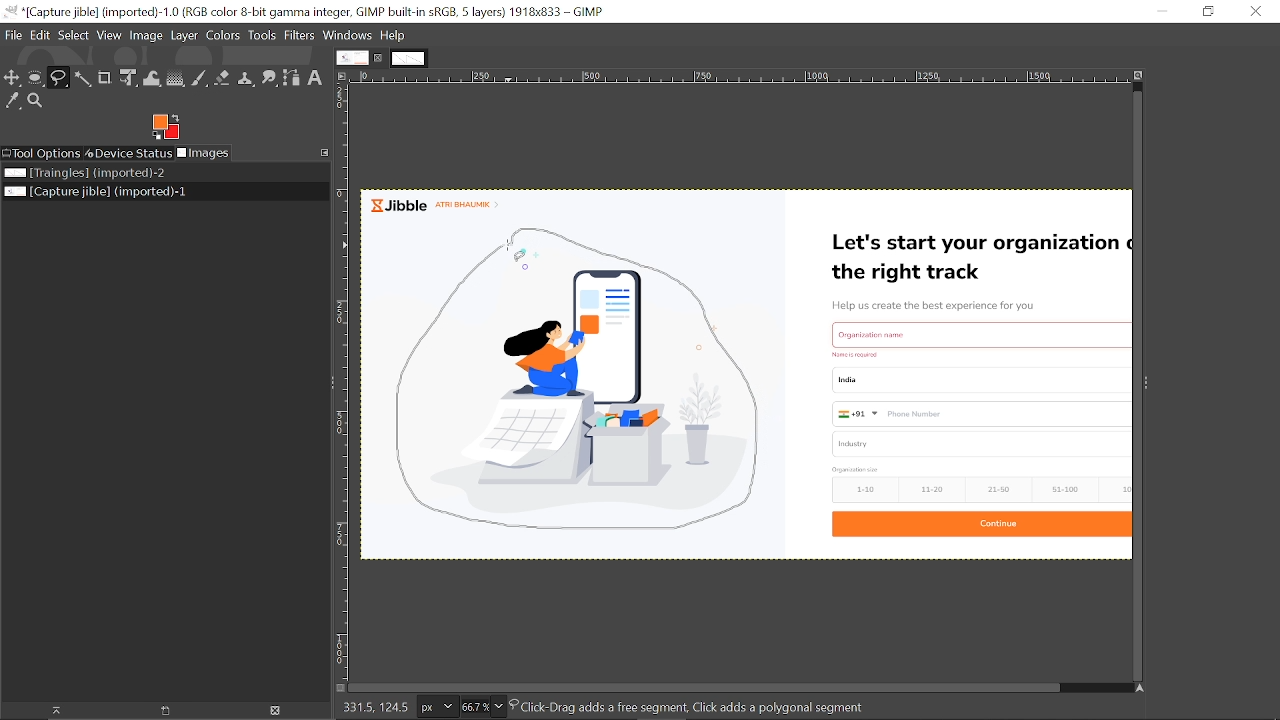  What do you see at coordinates (702, 688) in the screenshot?
I see `Horizontal scrollbar` at bounding box center [702, 688].